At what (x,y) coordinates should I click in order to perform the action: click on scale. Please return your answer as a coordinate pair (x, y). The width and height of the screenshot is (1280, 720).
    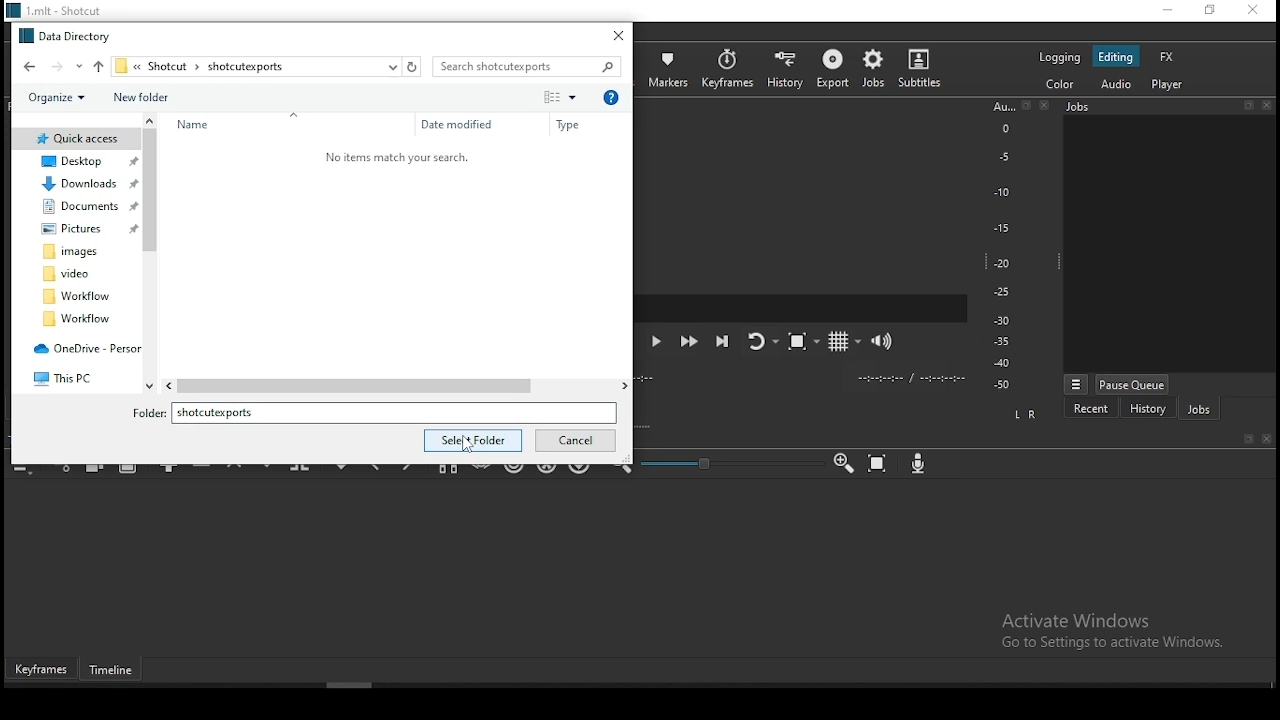
    Looking at the image, I should click on (1002, 247).